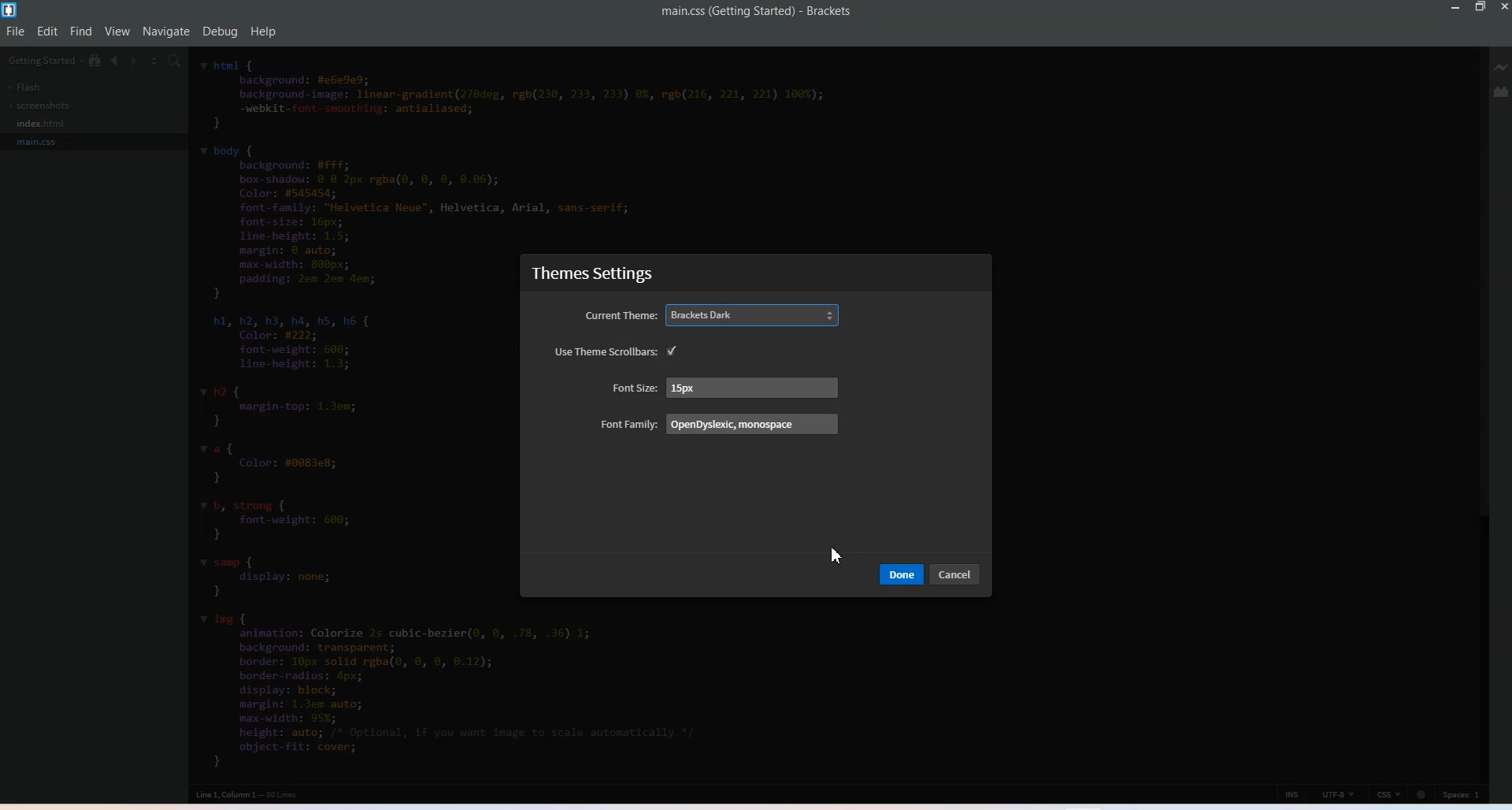  Describe the element at coordinates (901, 574) in the screenshot. I see `done` at that location.